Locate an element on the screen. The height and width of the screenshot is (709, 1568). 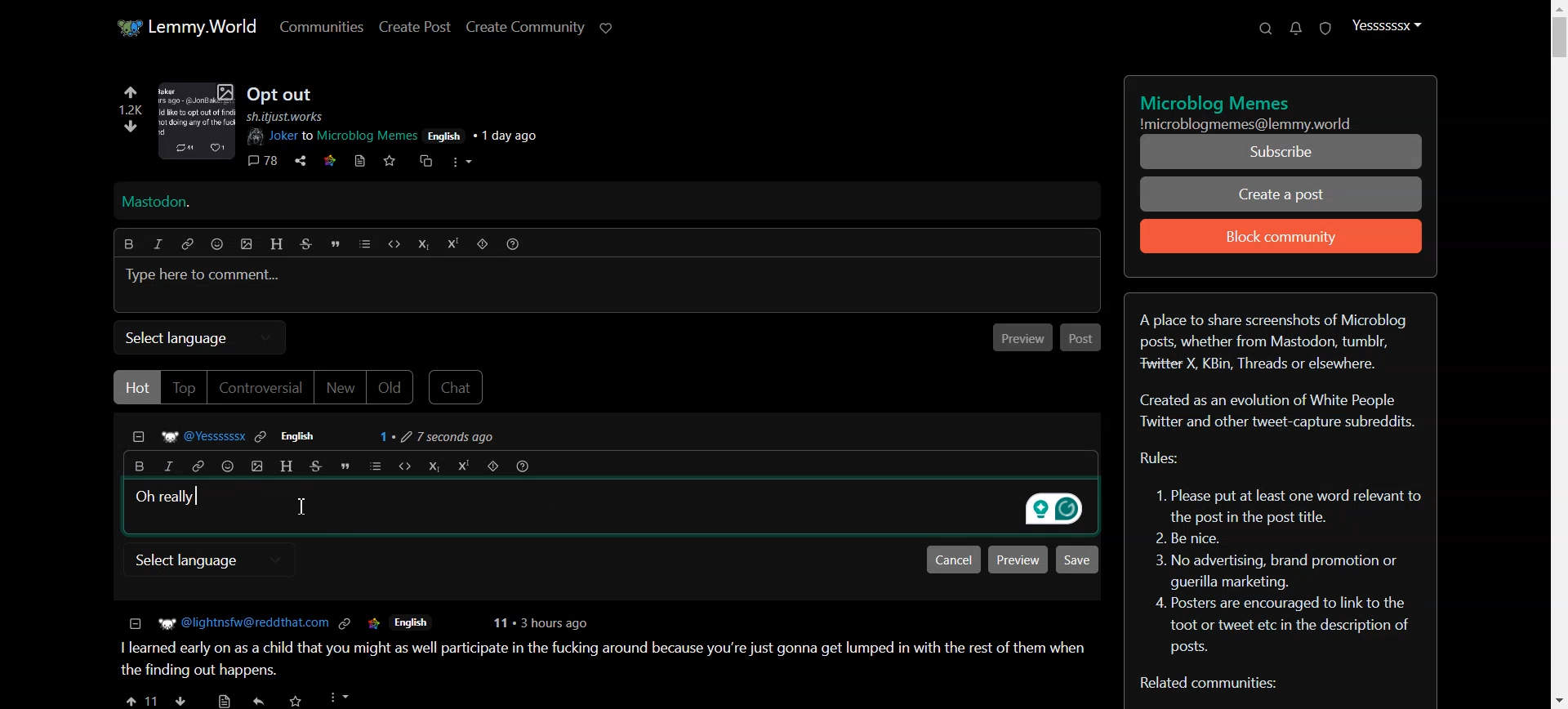
Create a Post is located at coordinates (1280, 194).